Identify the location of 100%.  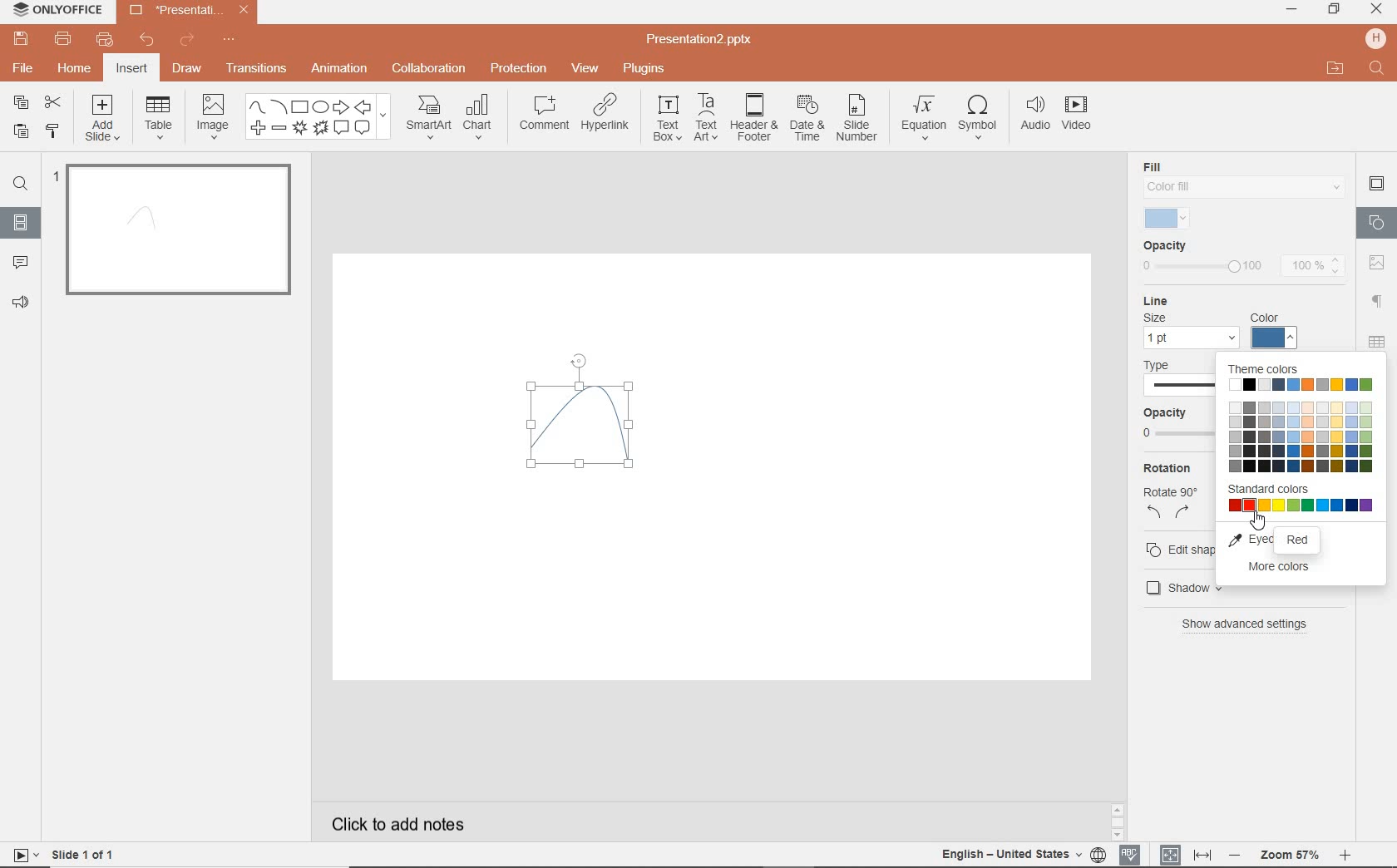
(1311, 264).